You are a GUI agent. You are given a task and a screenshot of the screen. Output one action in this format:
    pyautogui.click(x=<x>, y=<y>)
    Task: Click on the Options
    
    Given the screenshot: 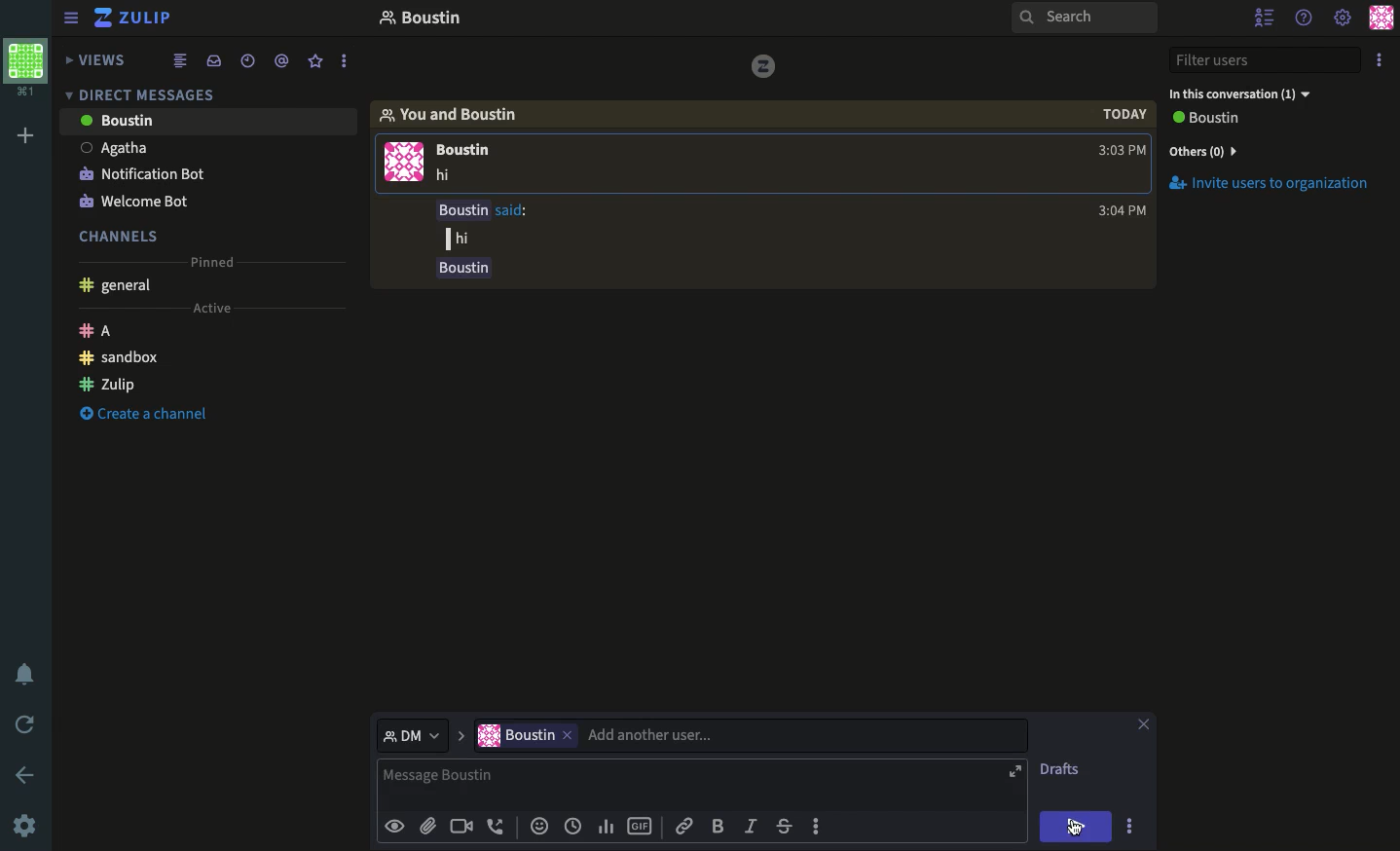 What is the action you would take?
    pyautogui.click(x=1381, y=62)
    